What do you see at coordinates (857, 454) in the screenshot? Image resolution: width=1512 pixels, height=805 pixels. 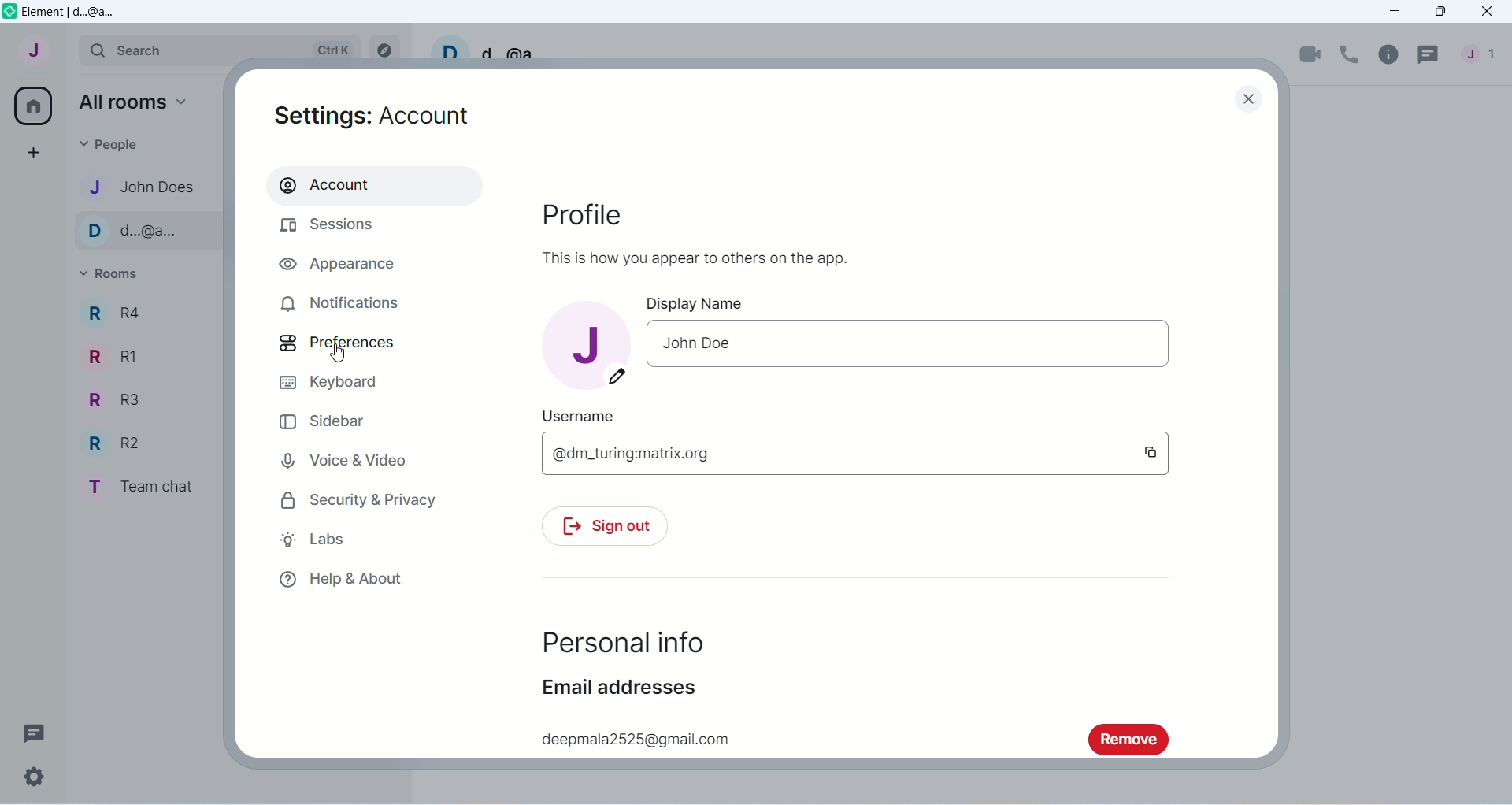 I see `@dm_turing.matrix.org` at bounding box center [857, 454].